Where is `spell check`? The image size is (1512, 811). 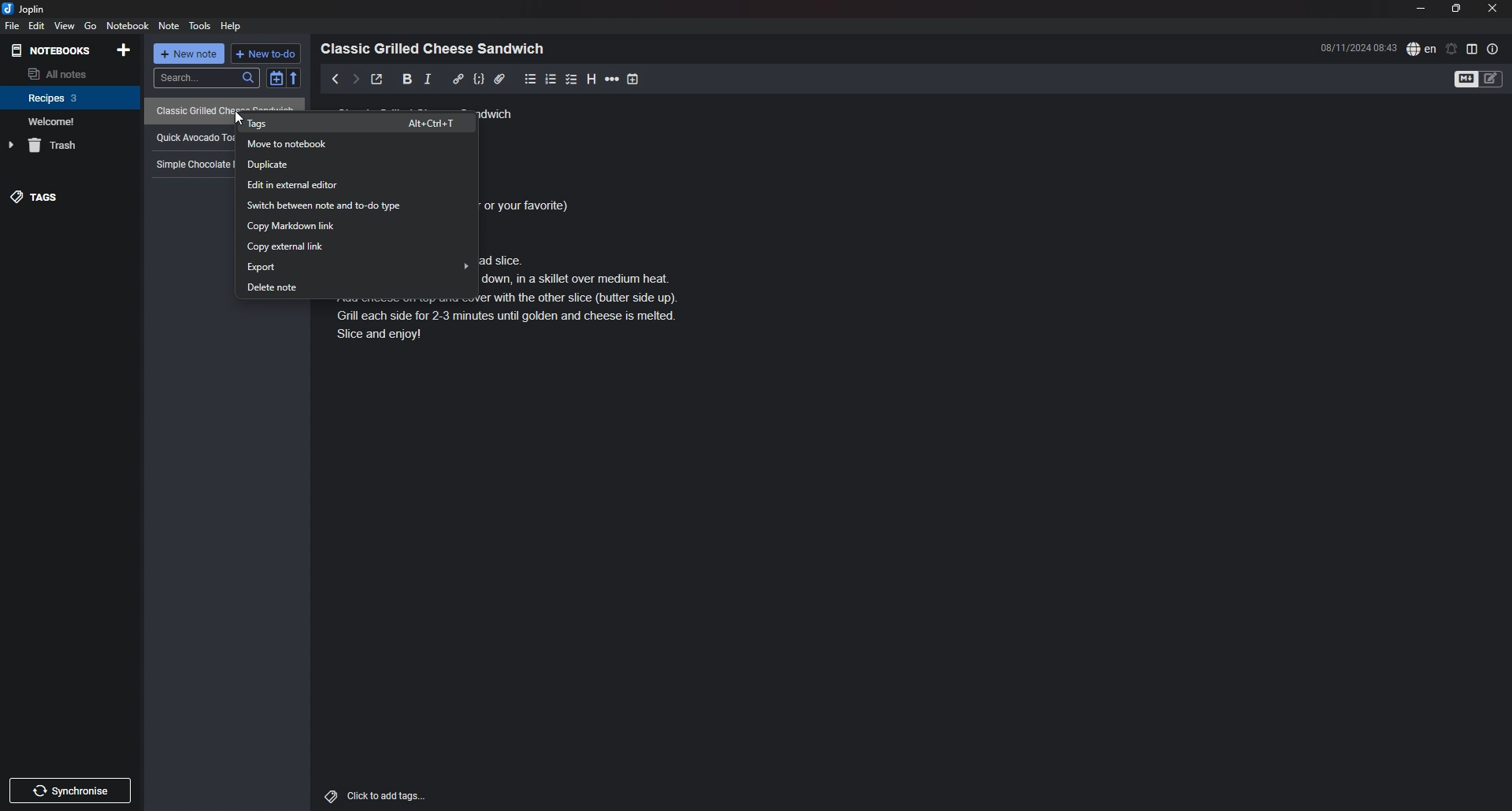 spell check is located at coordinates (1421, 48).